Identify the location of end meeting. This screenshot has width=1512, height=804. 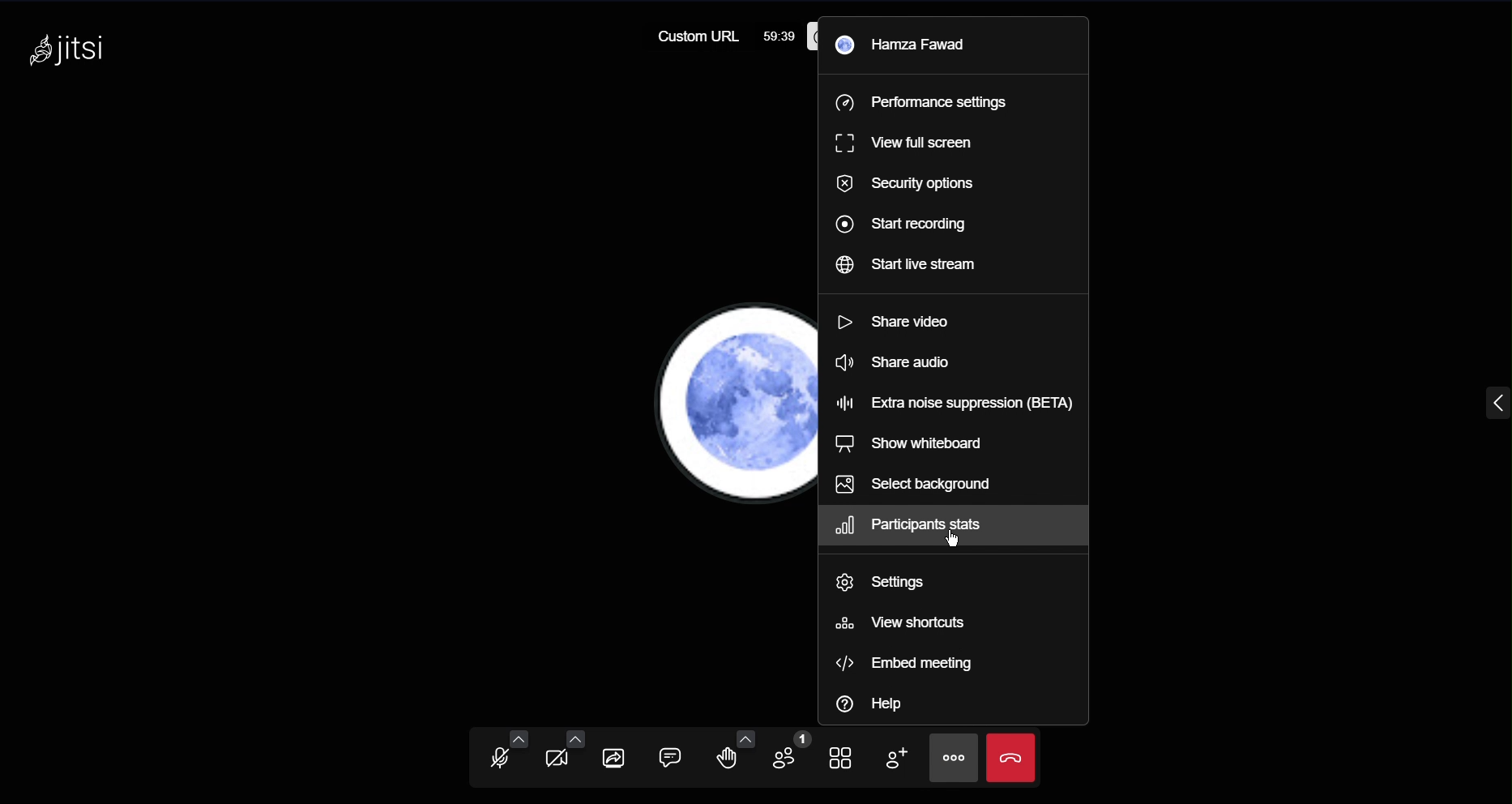
(1010, 754).